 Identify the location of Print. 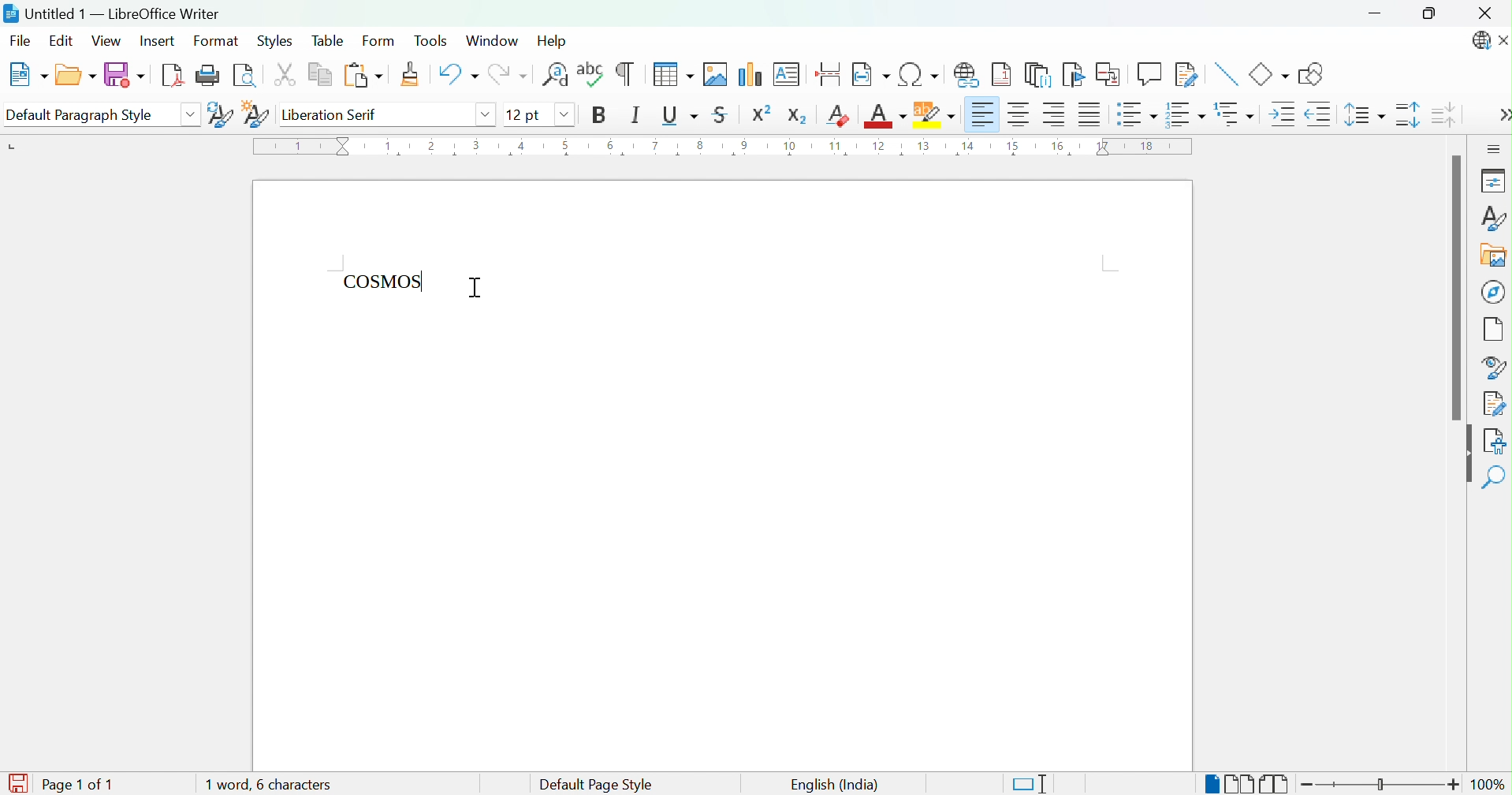
(209, 75).